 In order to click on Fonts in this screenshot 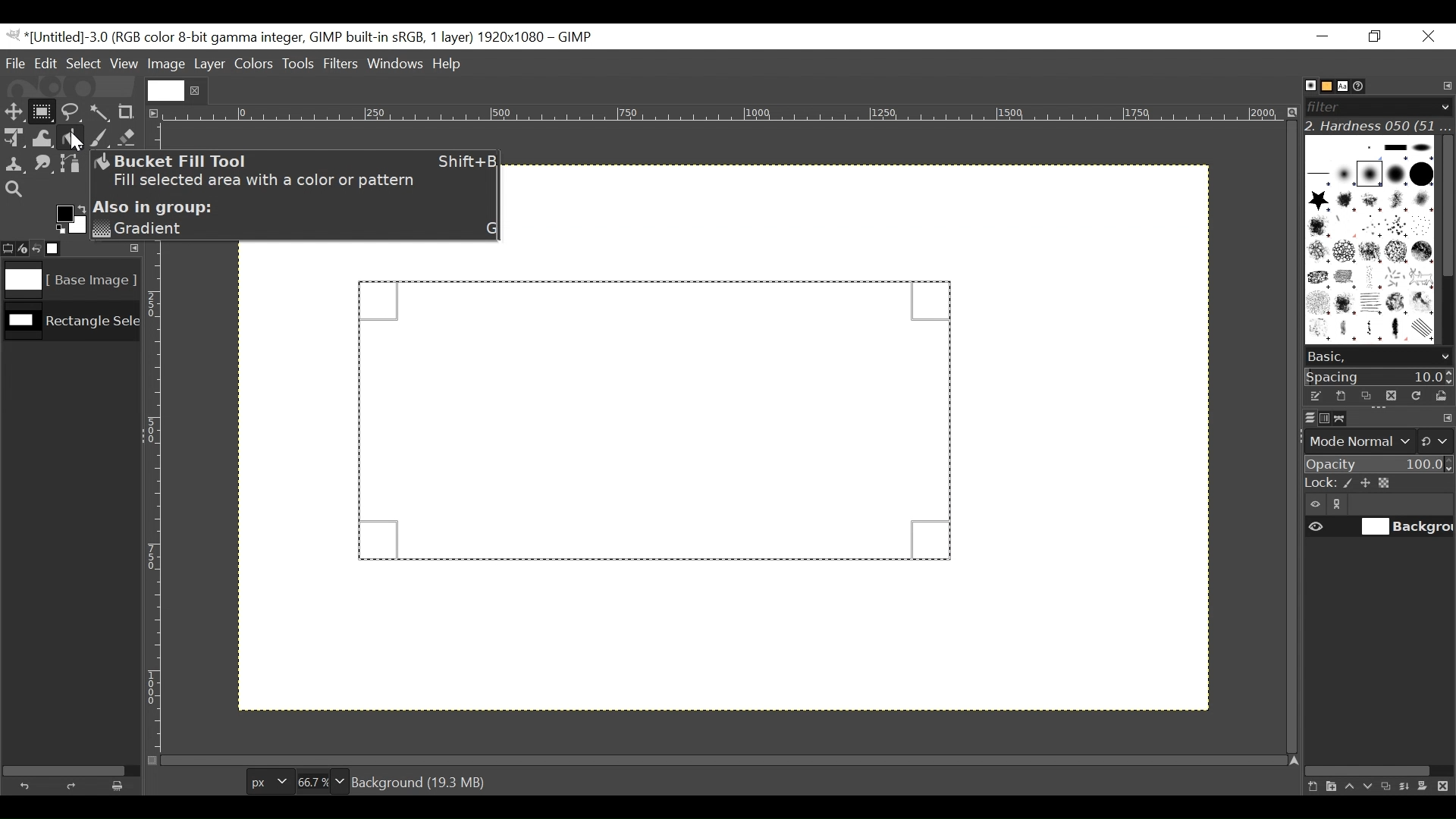, I will do `click(1345, 85)`.